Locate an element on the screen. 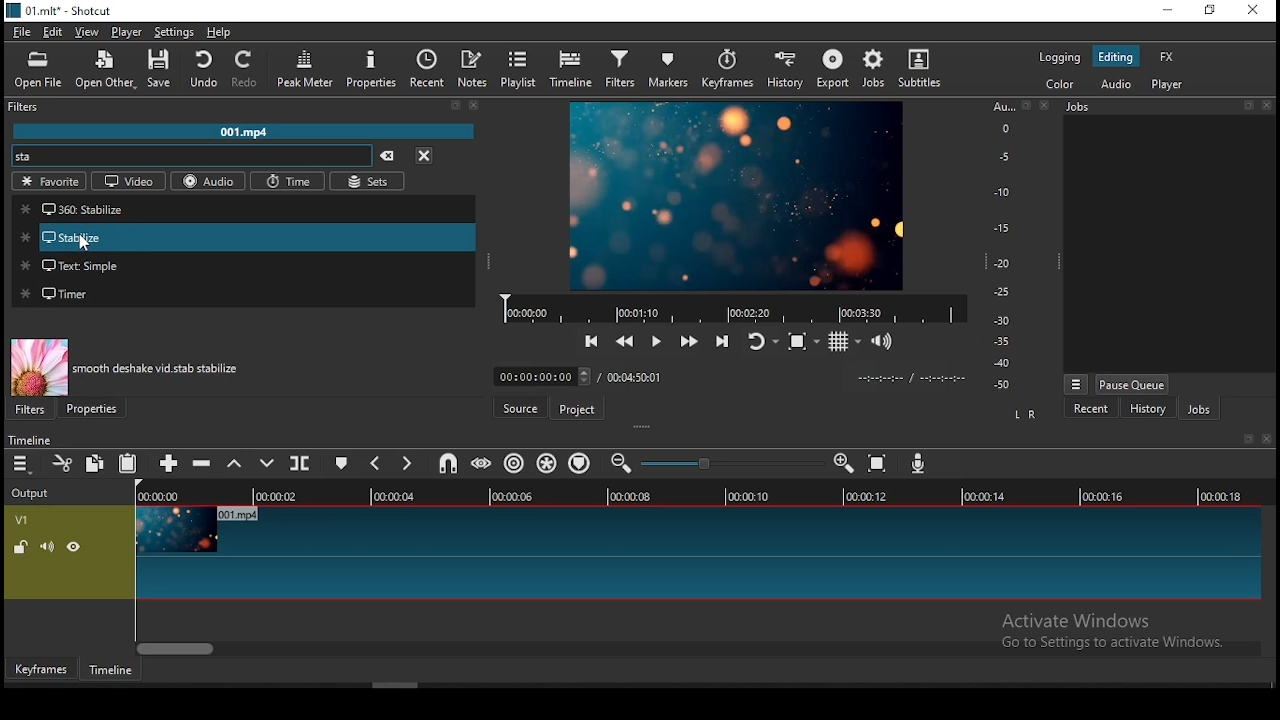 This screenshot has height=720, width=1280. smooth deshake vid stab stabilize is located at coordinates (160, 368).